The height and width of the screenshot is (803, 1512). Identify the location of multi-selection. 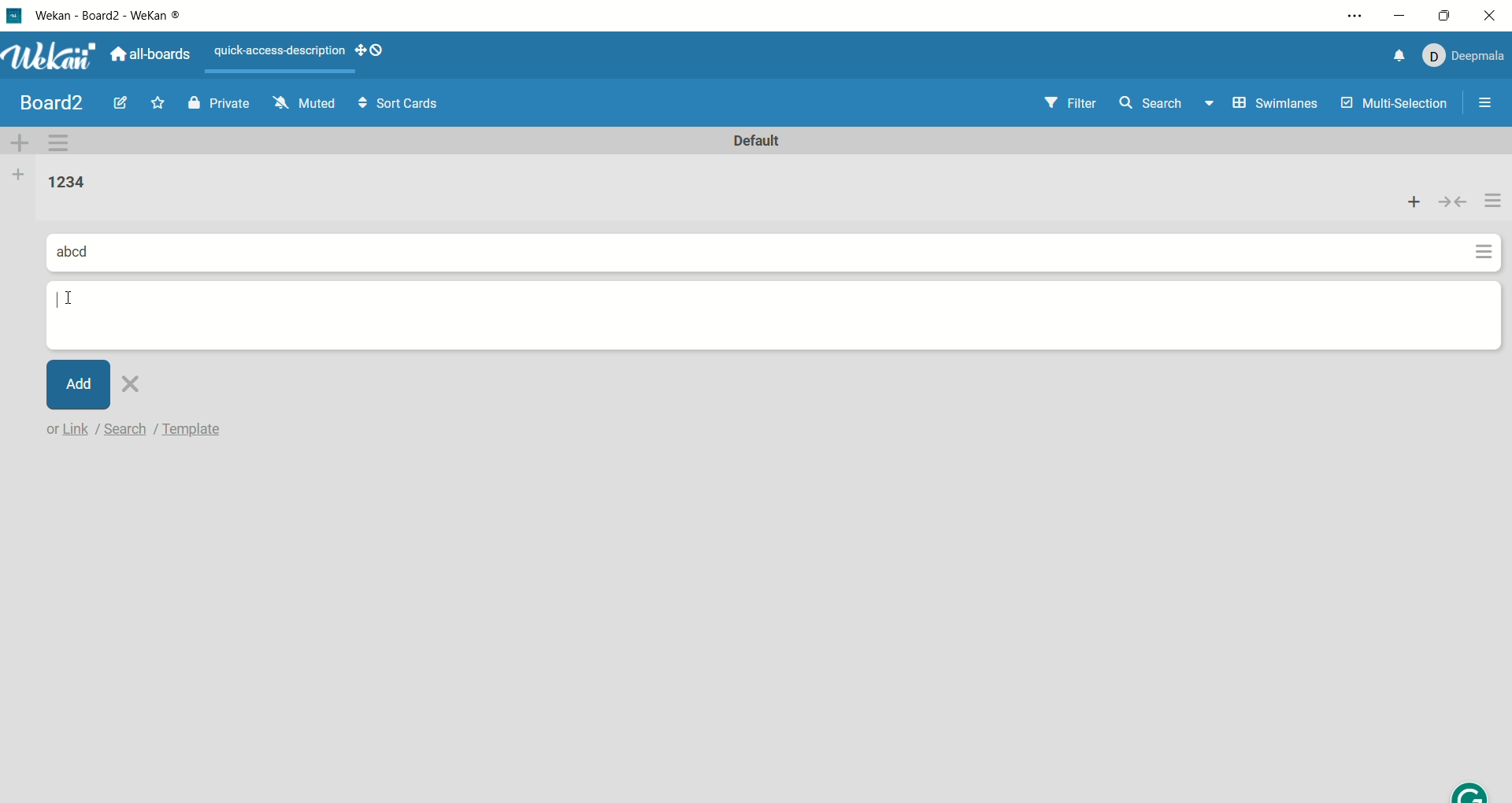
(1395, 105).